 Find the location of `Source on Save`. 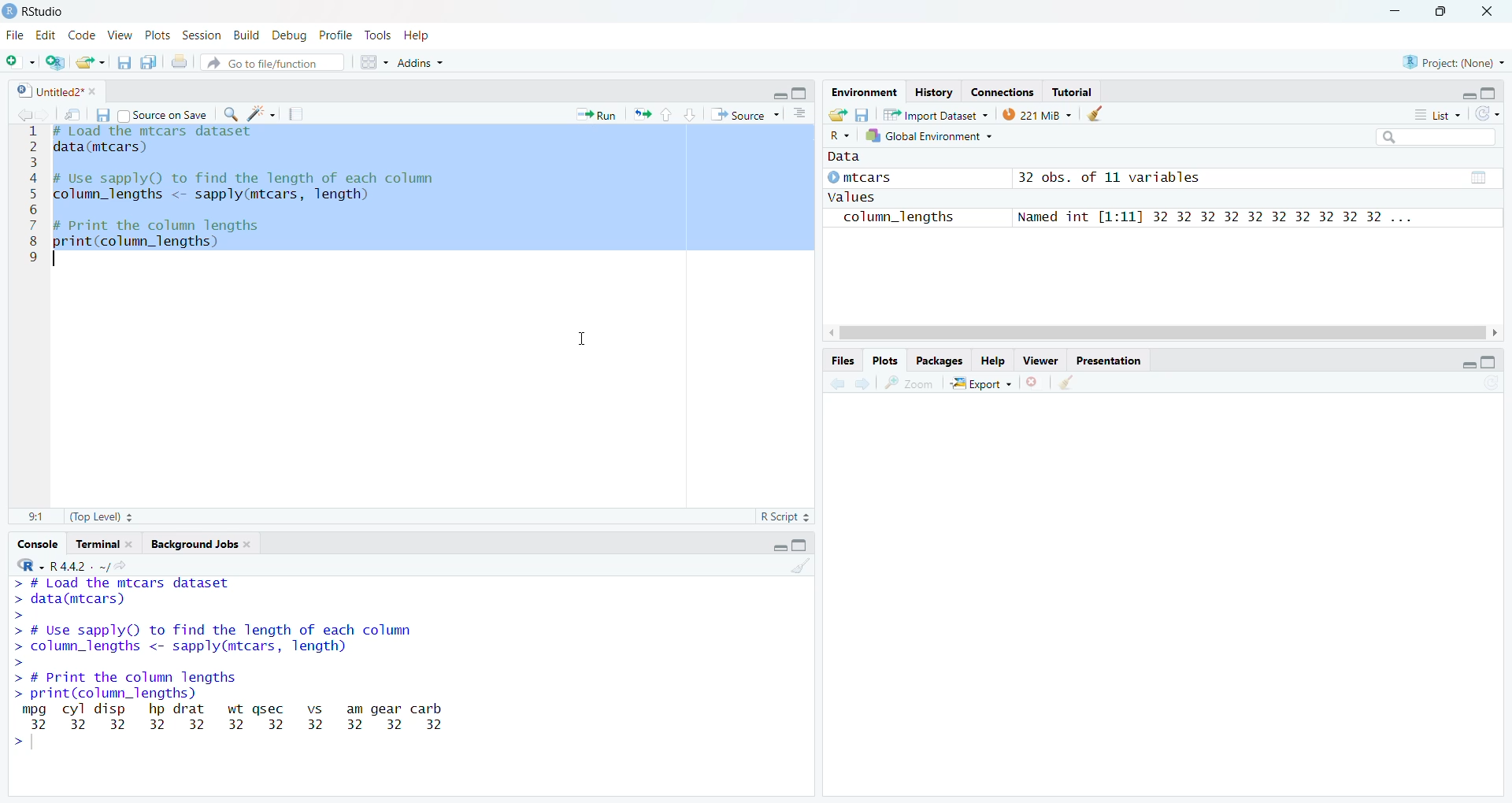

Source on Save is located at coordinates (163, 113).